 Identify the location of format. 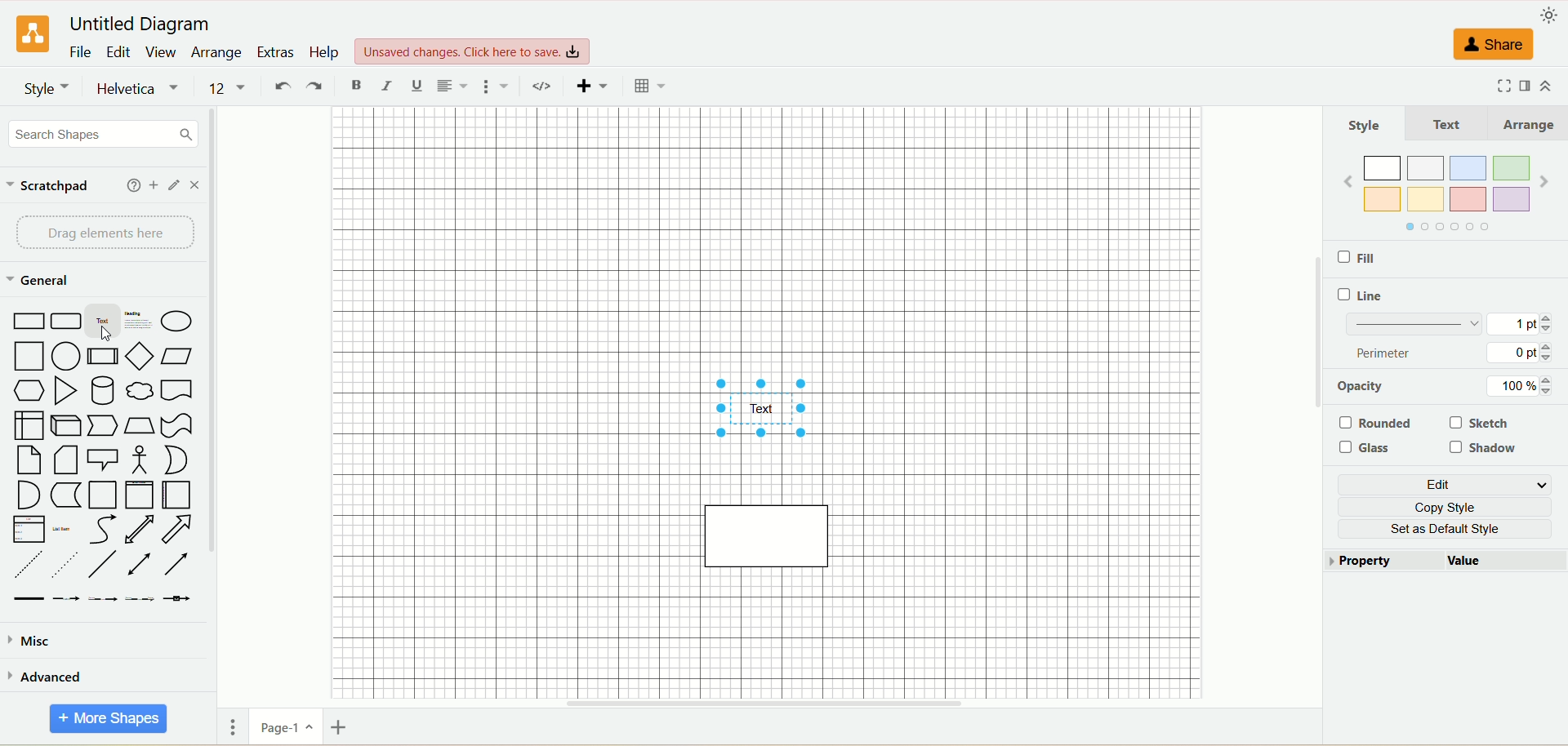
(1522, 87).